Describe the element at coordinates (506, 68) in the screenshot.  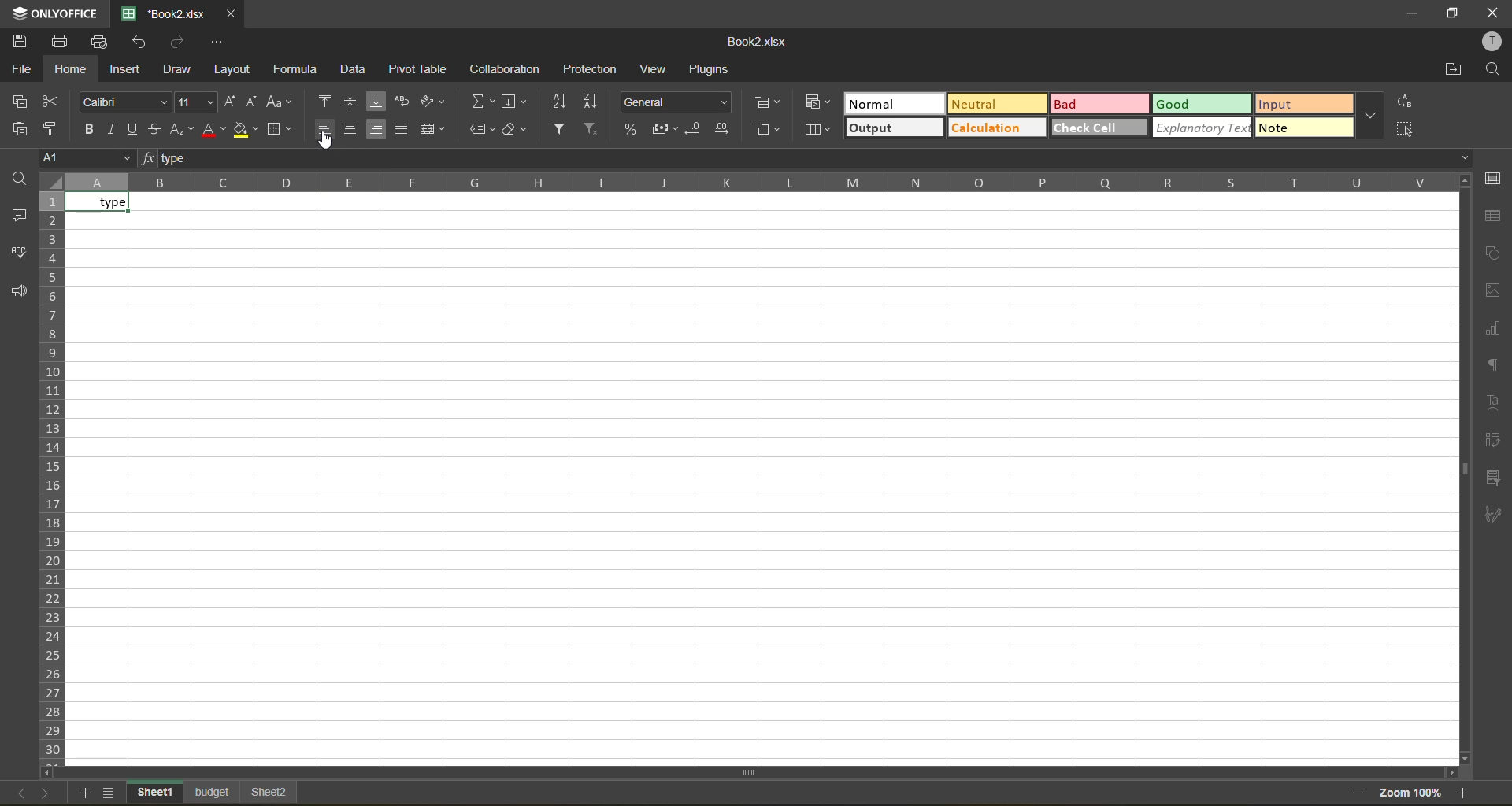
I see `collaboration` at that location.